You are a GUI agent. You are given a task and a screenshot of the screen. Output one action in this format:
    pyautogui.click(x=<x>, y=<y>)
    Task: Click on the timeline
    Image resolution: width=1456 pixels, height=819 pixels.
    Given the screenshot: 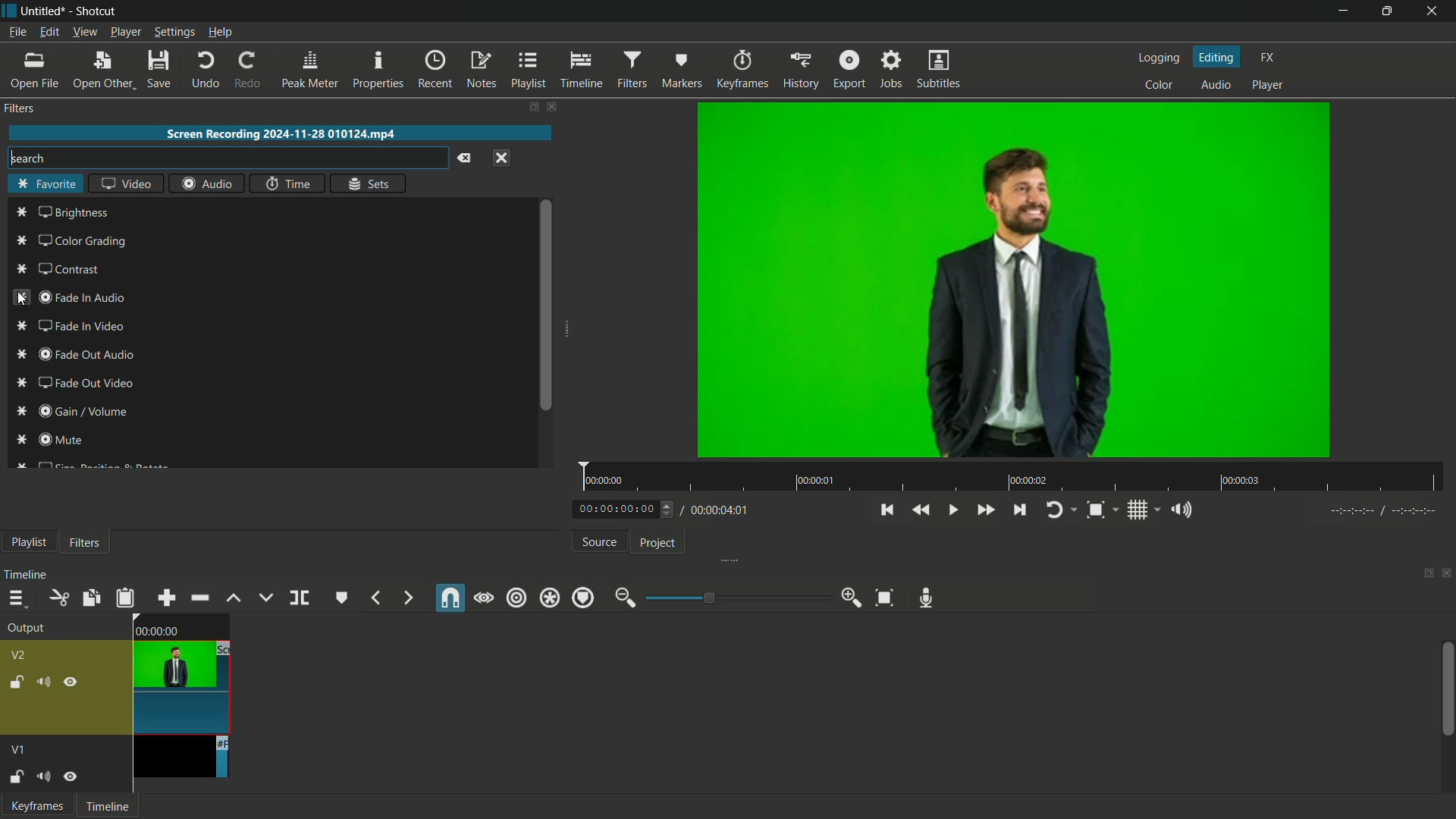 What is the action you would take?
    pyautogui.click(x=25, y=575)
    